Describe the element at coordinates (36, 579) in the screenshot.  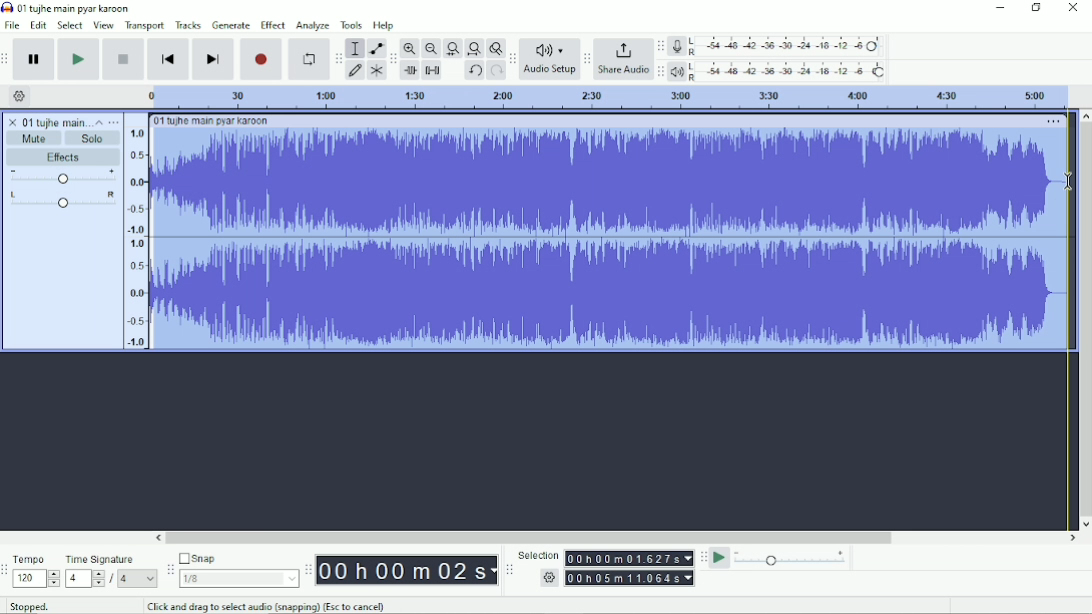
I see `120` at that location.